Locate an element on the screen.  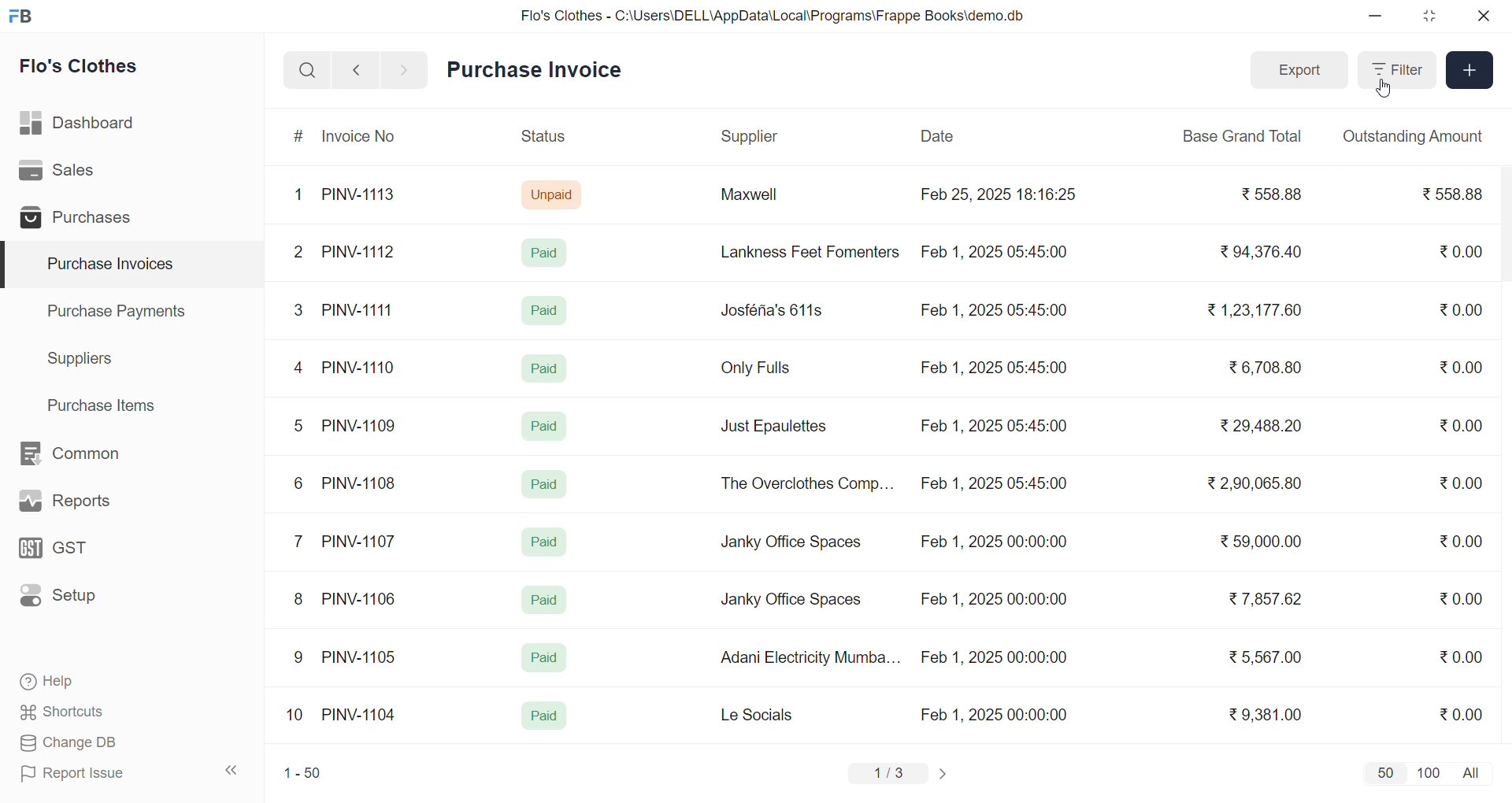
PINV-1109 is located at coordinates (361, 425).